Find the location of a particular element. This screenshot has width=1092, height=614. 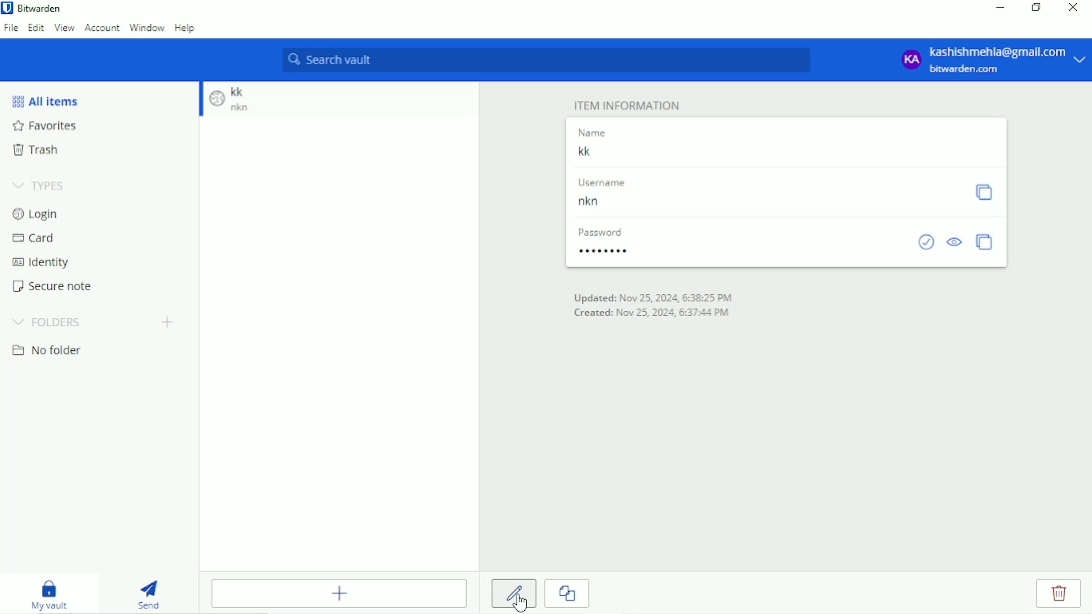

Add folder is located at coordinates (166, 322).